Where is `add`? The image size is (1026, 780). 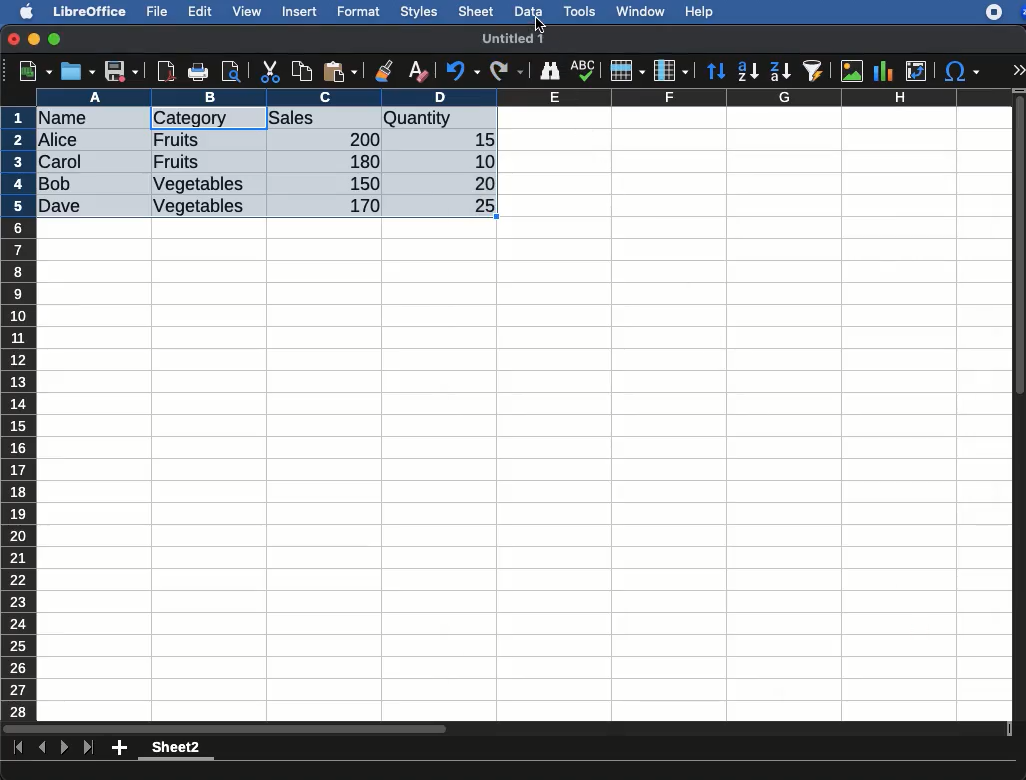
add is located at coordinates (121, 747).